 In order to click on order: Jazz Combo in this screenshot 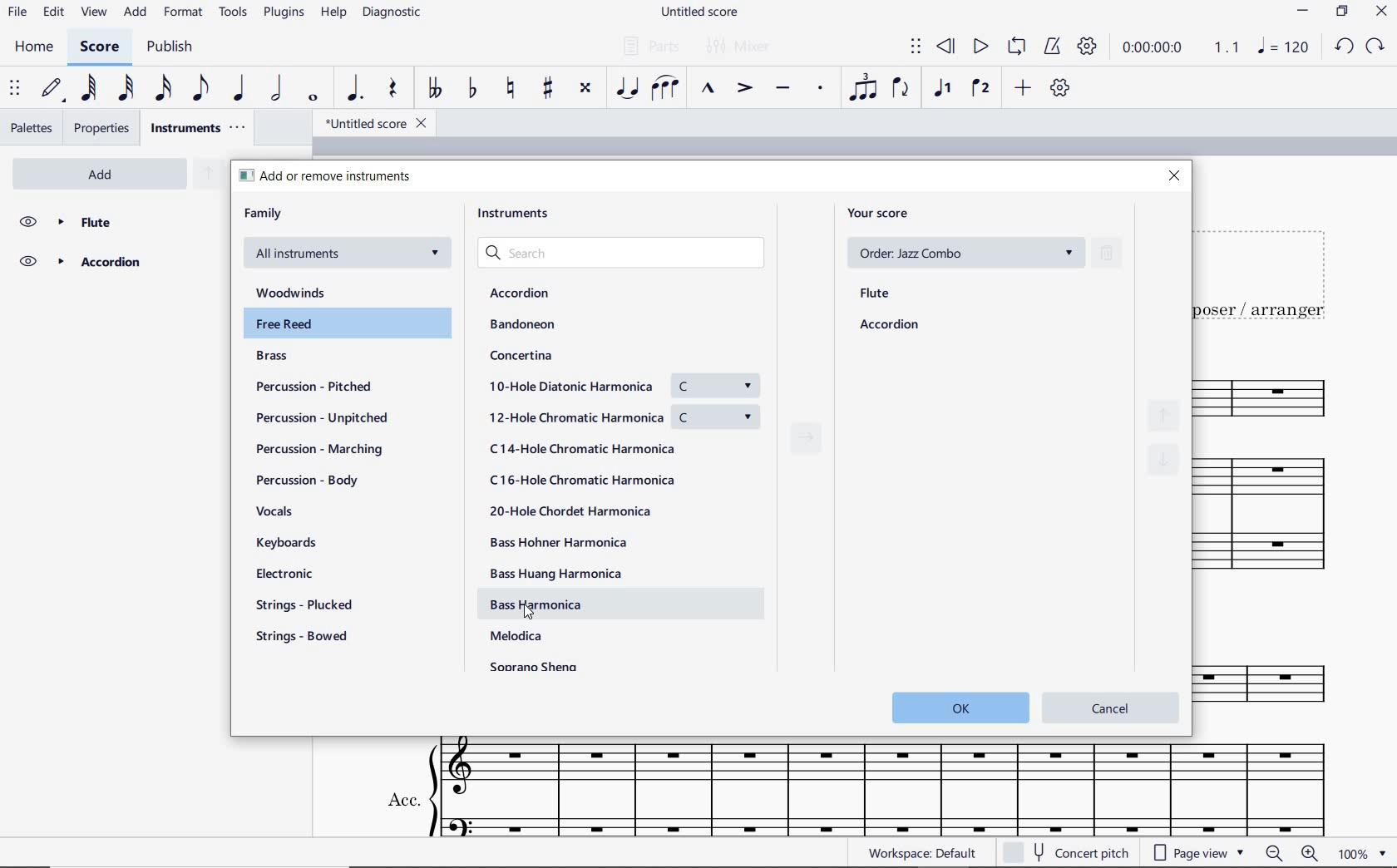, I will do `click(964, 252)`.